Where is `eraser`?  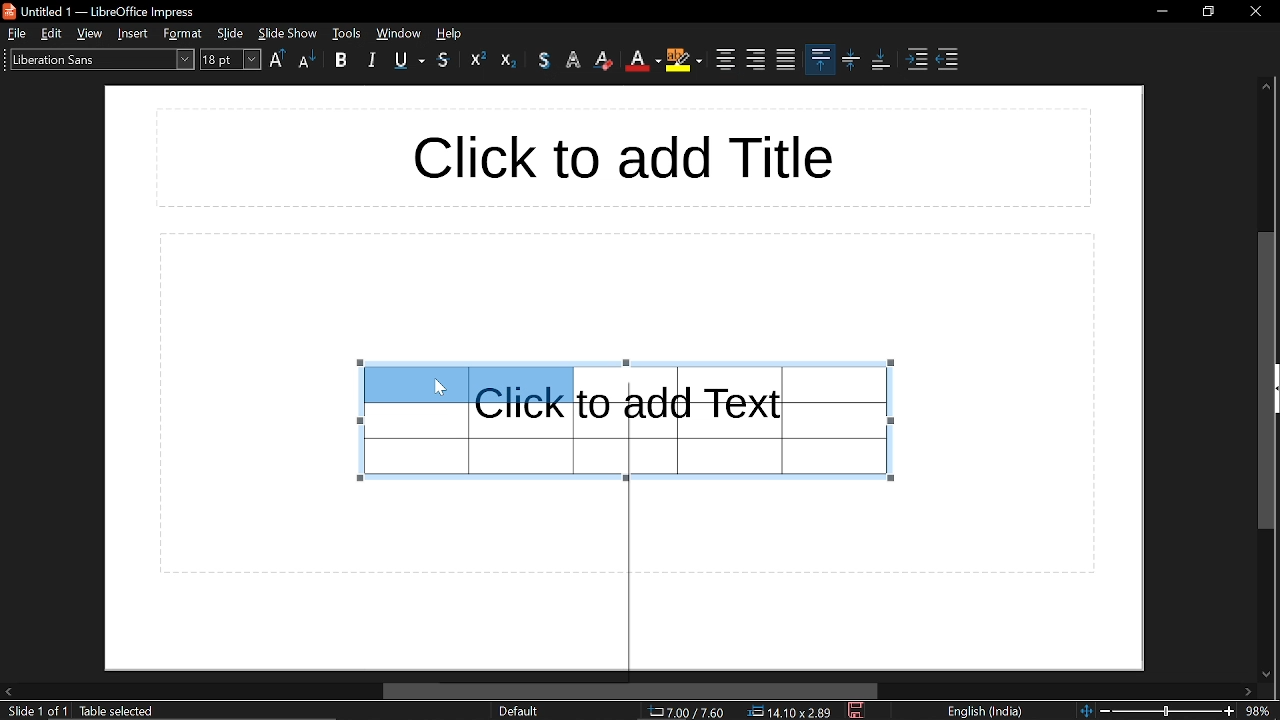 eraser is located at coordinates (606, 60).